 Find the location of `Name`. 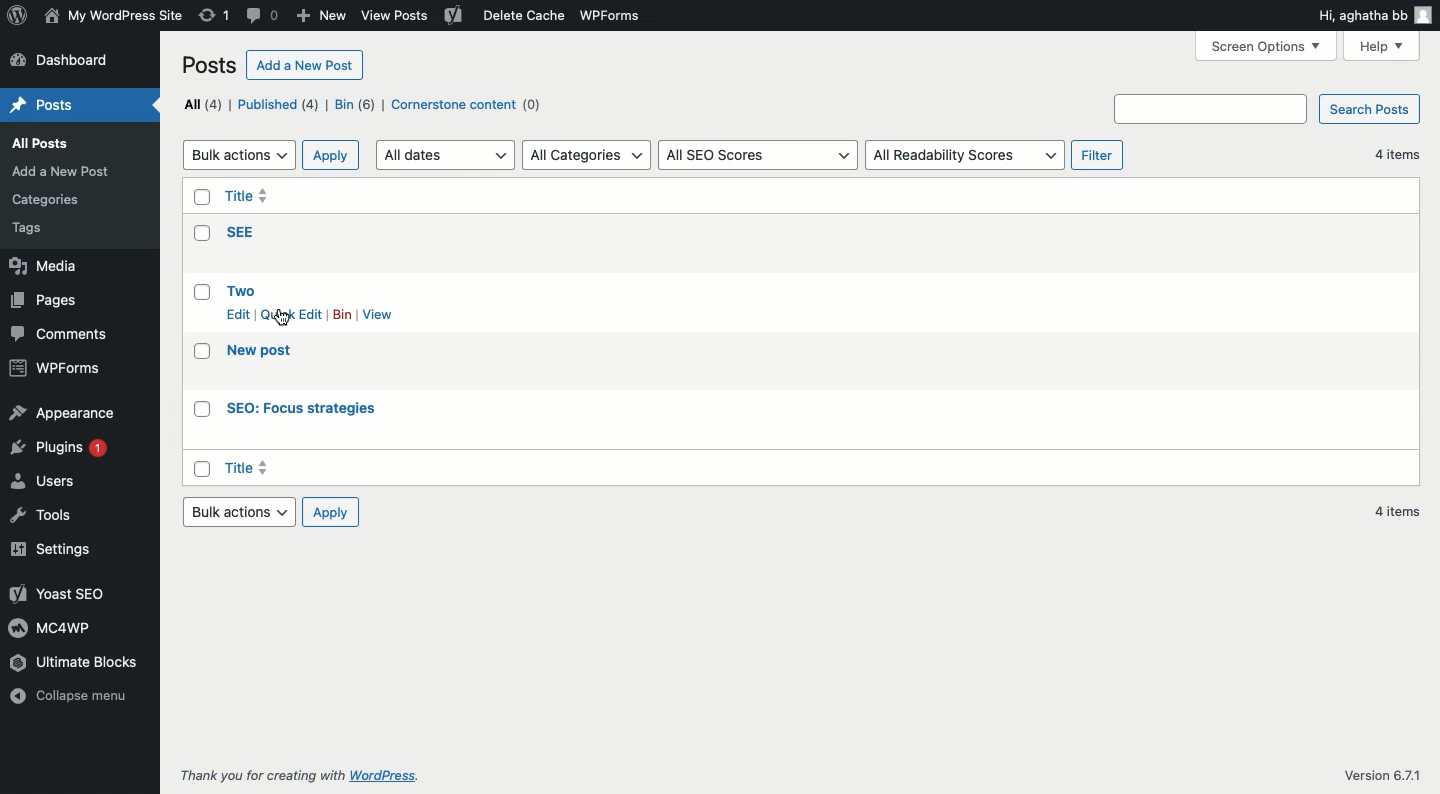

Name is located at coordinates (113, 14).